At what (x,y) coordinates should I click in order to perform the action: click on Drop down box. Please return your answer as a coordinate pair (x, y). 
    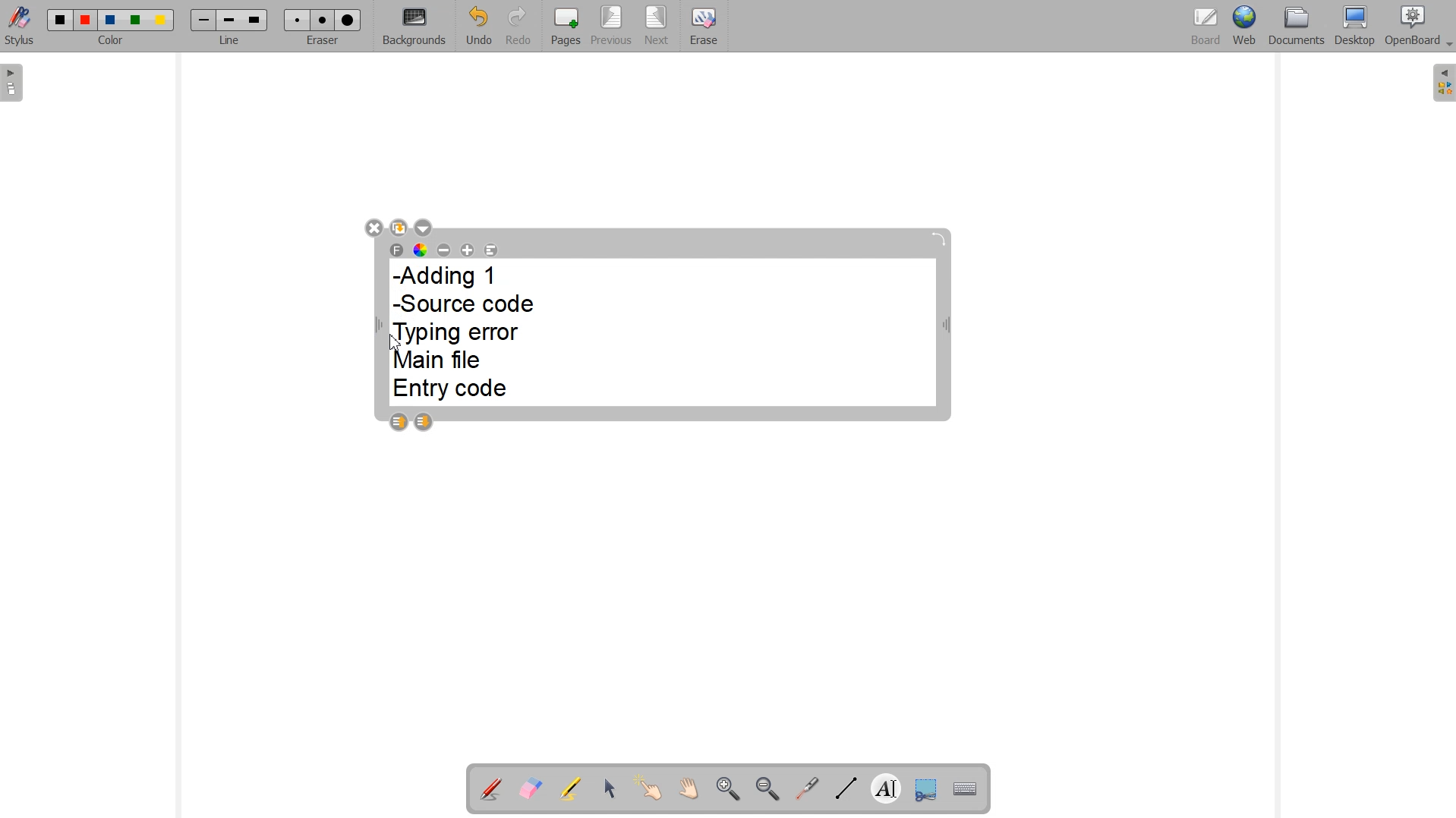
    Looking at the image, I should click on (425, 228).